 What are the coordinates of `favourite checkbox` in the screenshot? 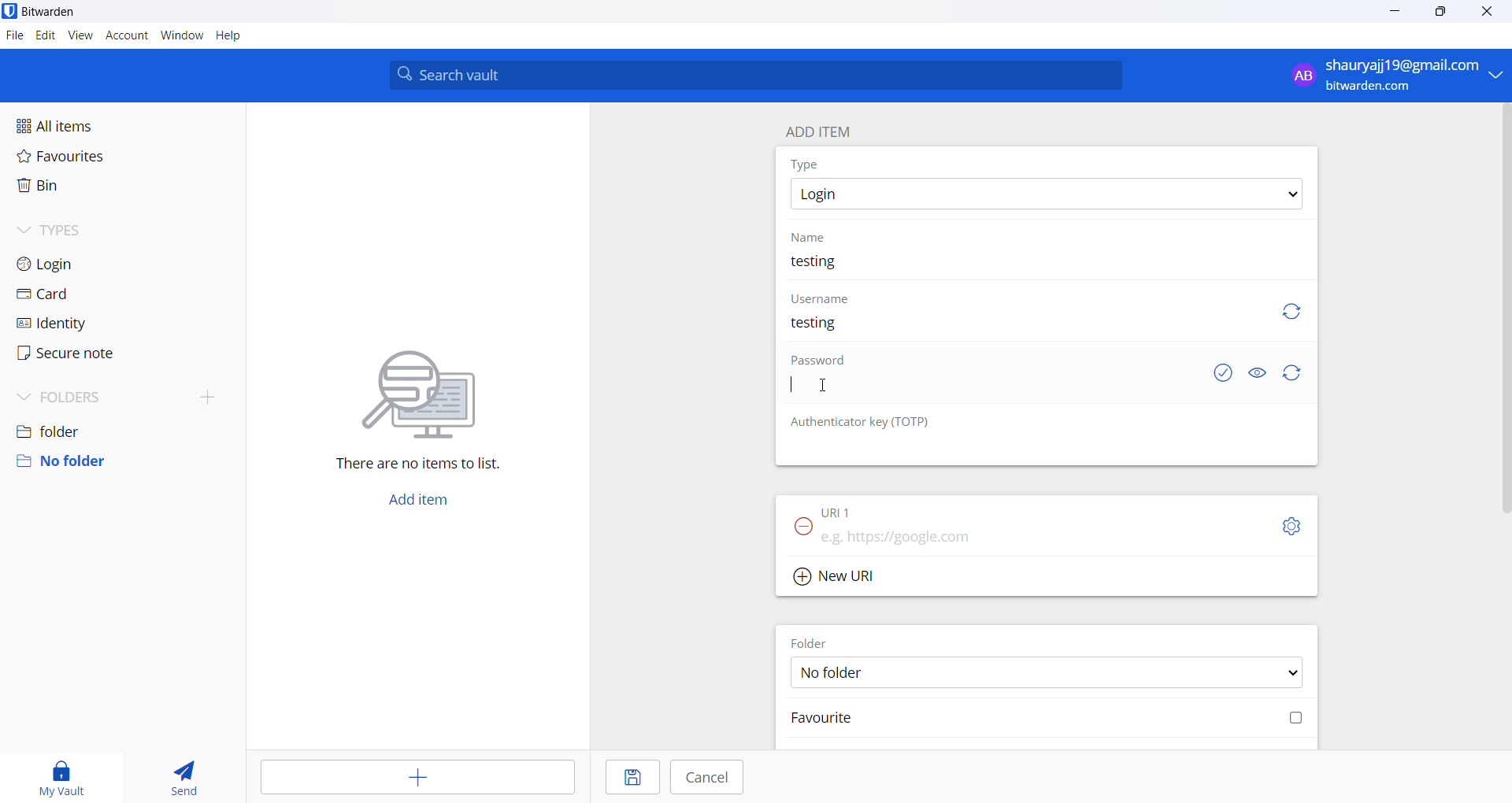 It's located at (1050, 718).